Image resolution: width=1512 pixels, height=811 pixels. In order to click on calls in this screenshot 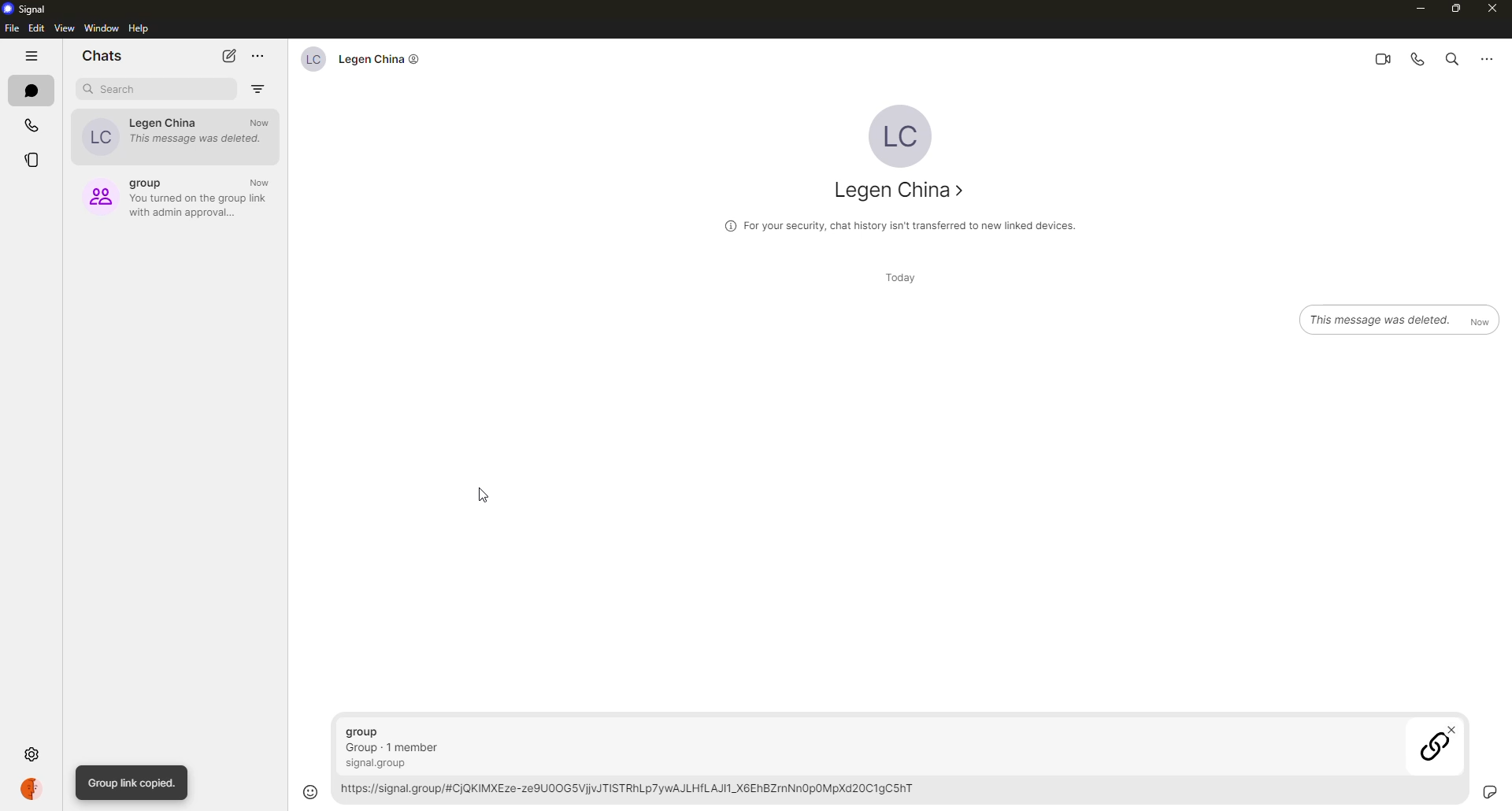, I will do `click(33, 126)`.